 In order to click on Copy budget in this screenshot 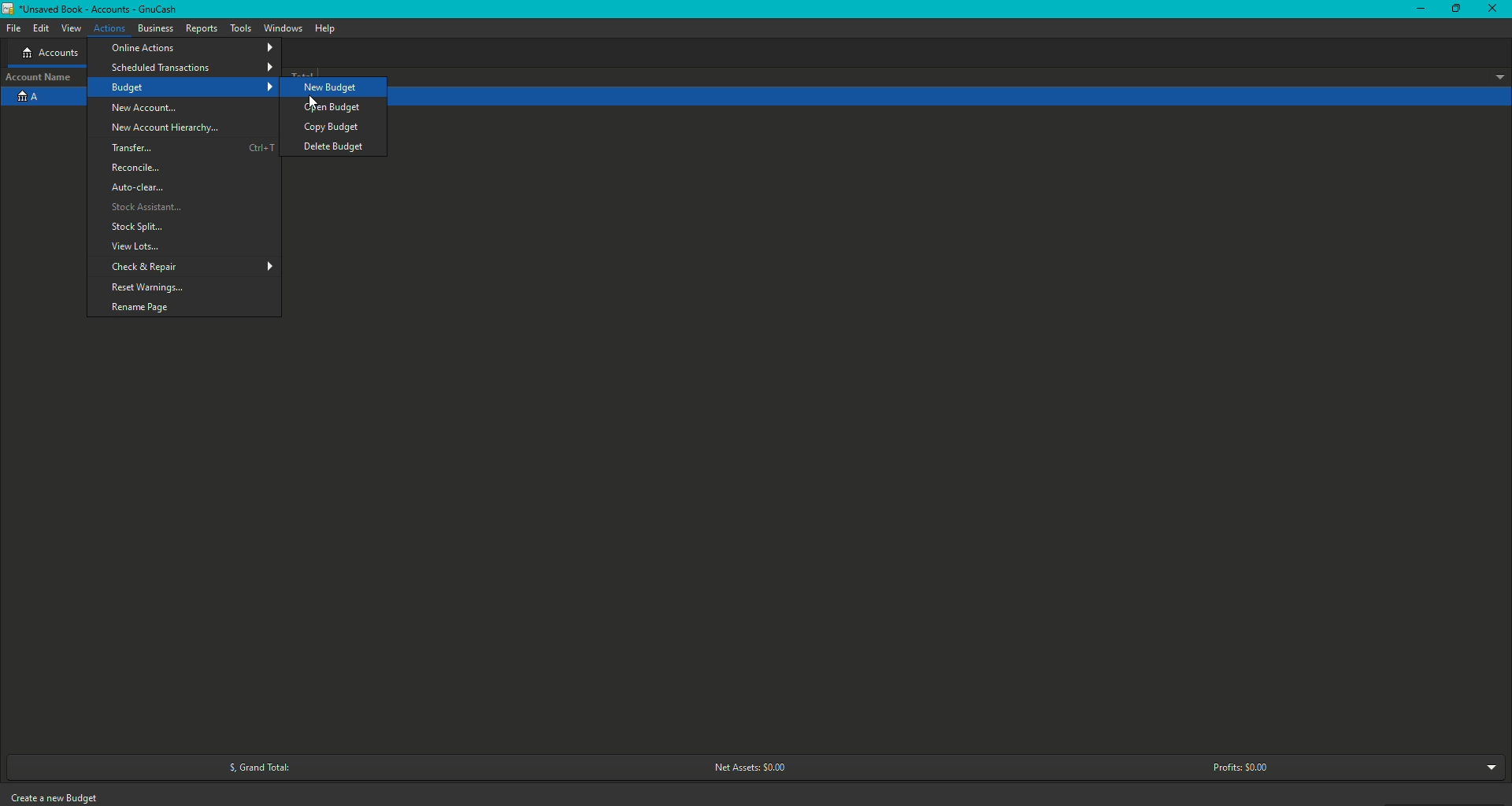, I will do `click(328, 128)`.